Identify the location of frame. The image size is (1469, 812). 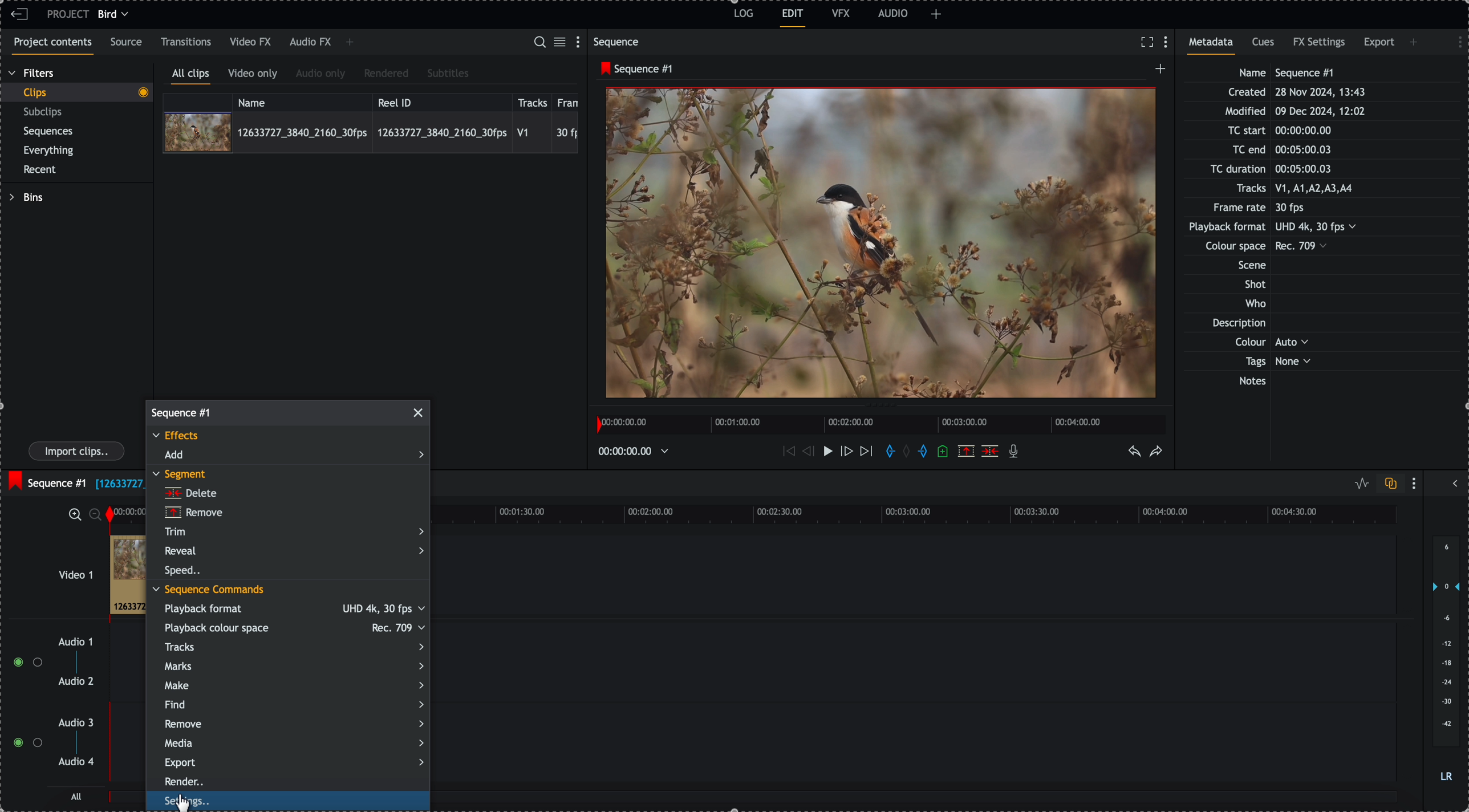
(570, 101).